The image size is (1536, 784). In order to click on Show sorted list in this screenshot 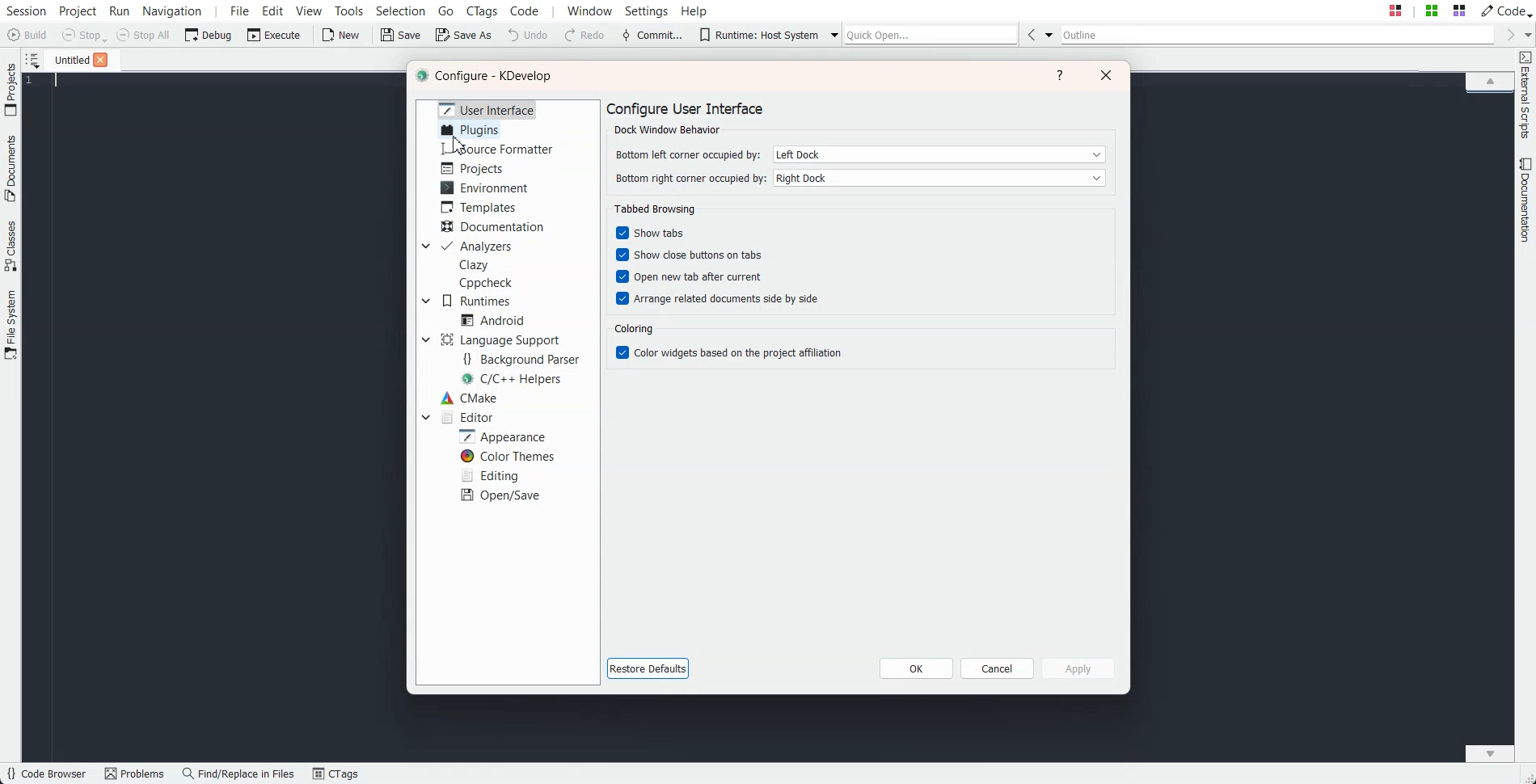, I will do `click(32, 60)`.